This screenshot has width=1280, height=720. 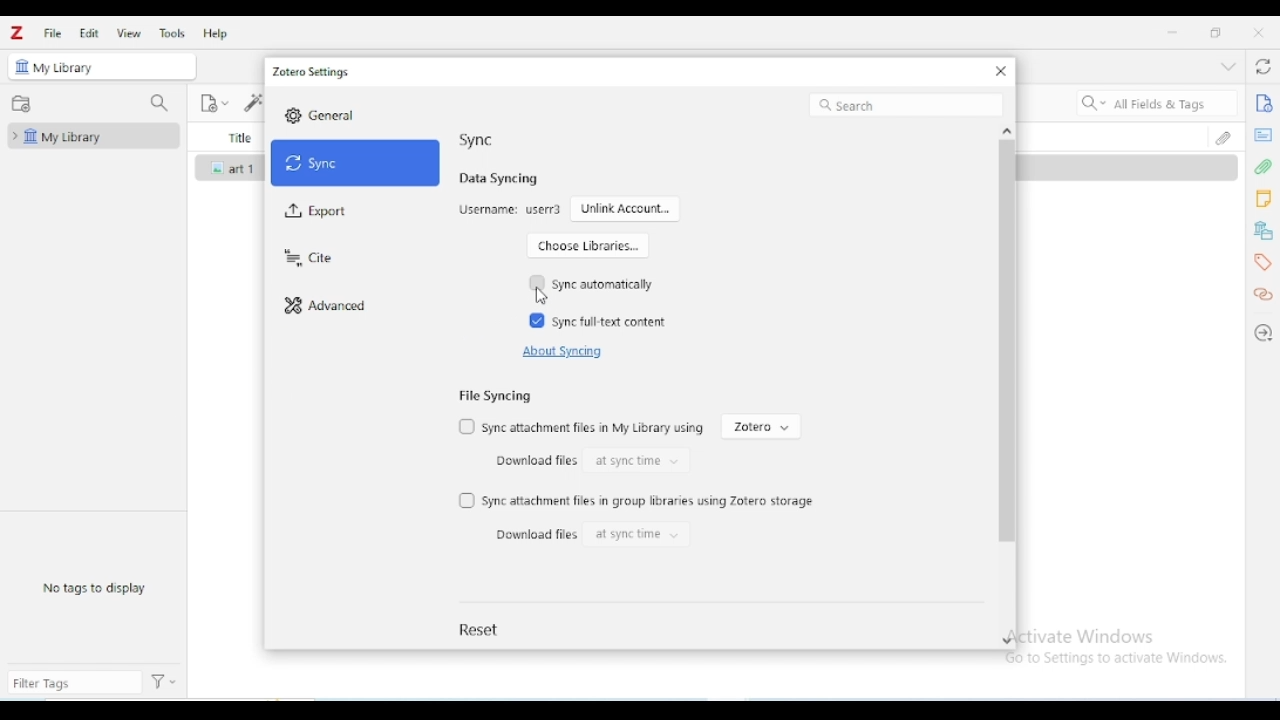 I want to click on file, so click(x=52, y=34).